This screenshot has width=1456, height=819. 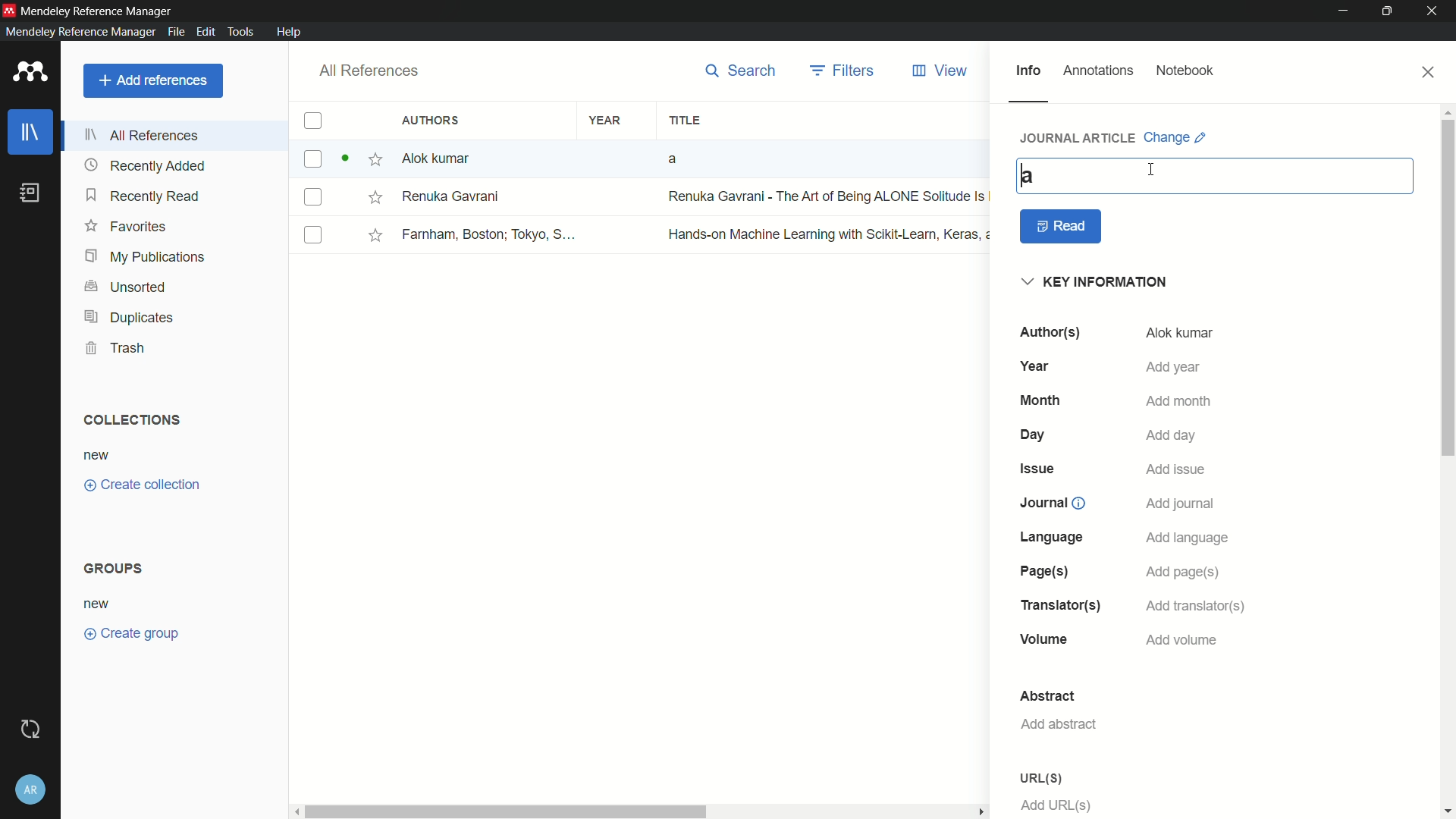 I want to click on book, so click(x=33, y=193).